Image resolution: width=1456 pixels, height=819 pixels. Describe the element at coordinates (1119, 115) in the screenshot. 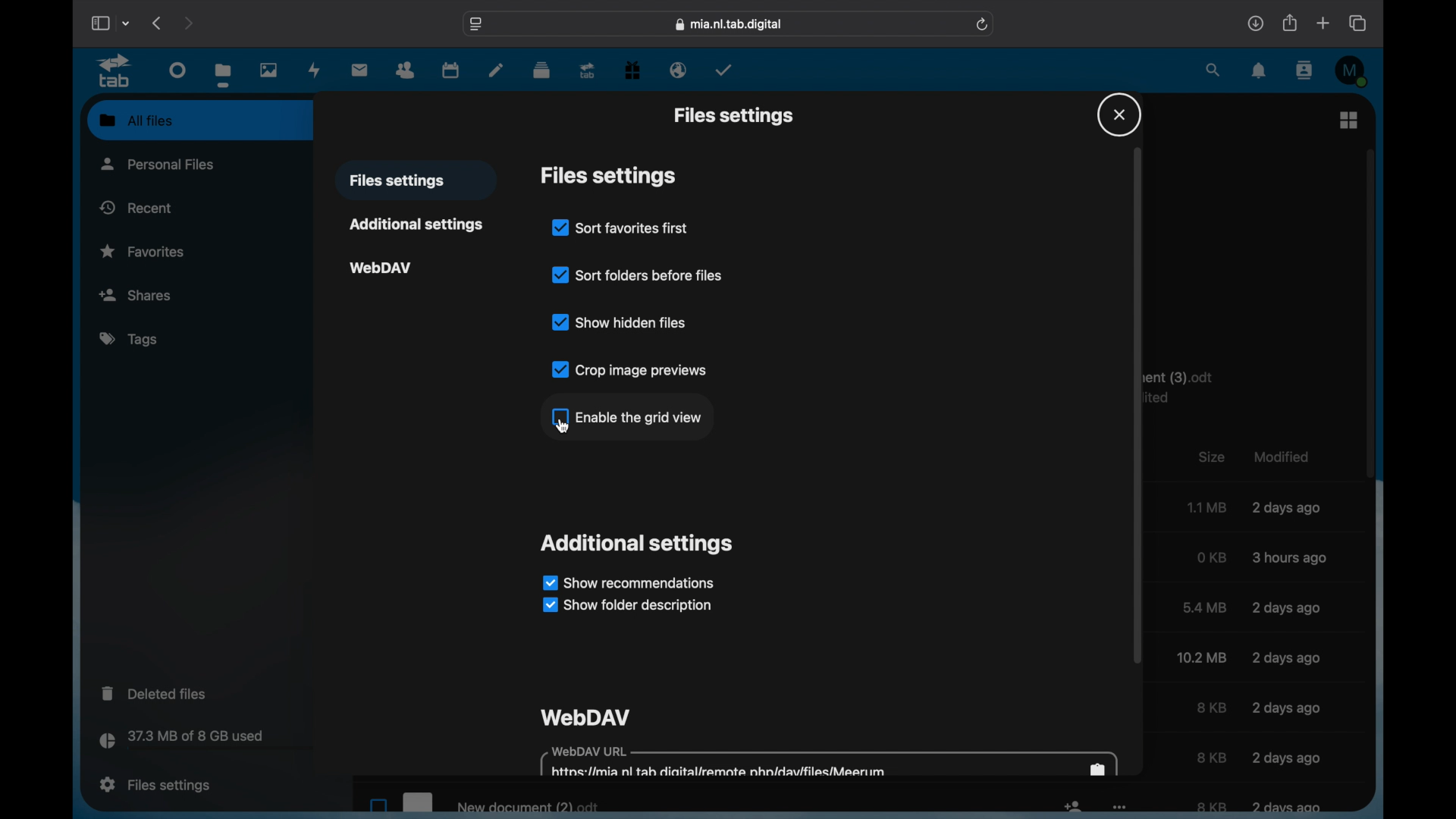

I see `close` at that location.